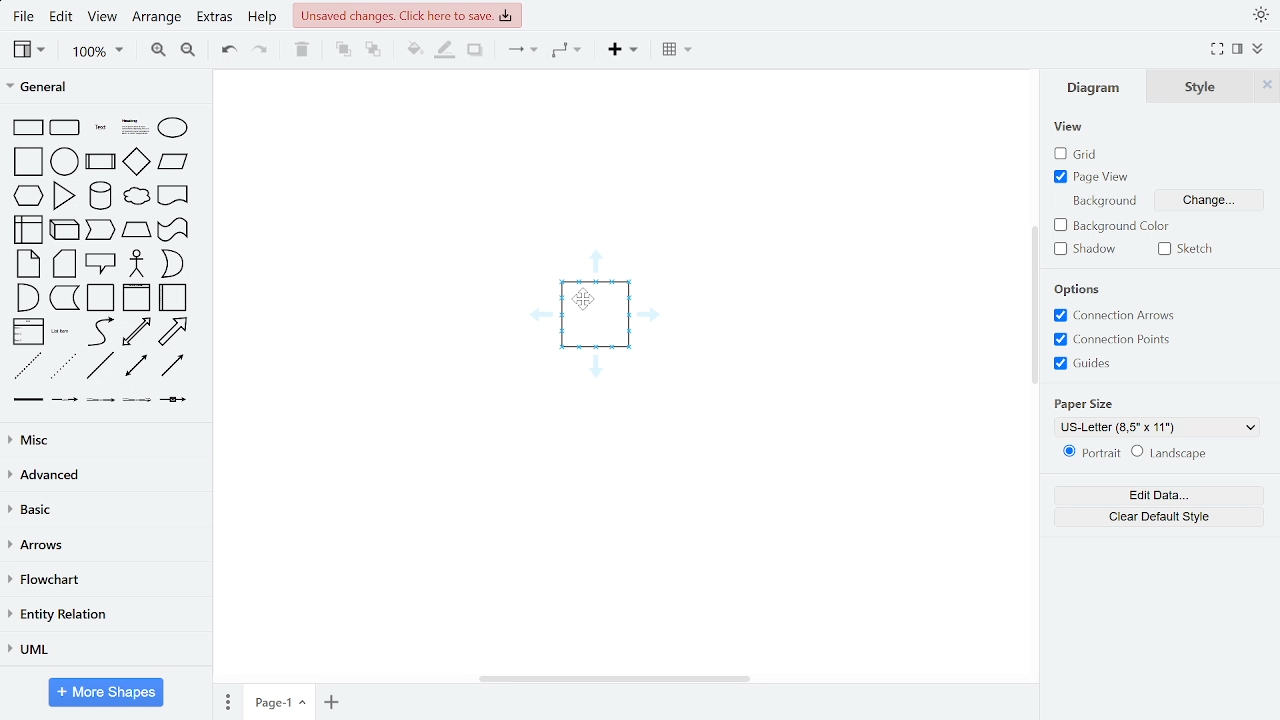  Describe the element at coordinates (1118, 315) in the screenshot. I see `connection arrows` at that location.